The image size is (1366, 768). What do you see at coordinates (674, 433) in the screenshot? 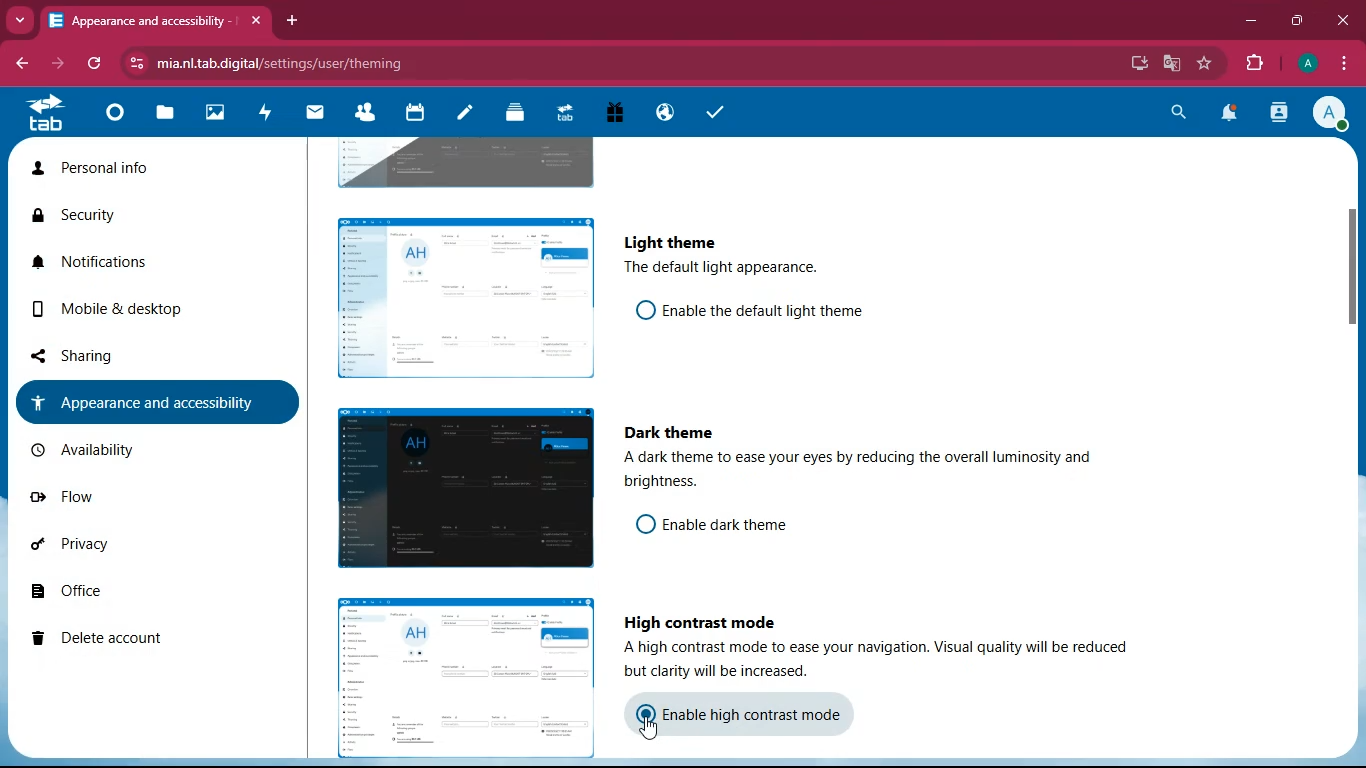
I see `dark theme` at bounding box center [674, 433].